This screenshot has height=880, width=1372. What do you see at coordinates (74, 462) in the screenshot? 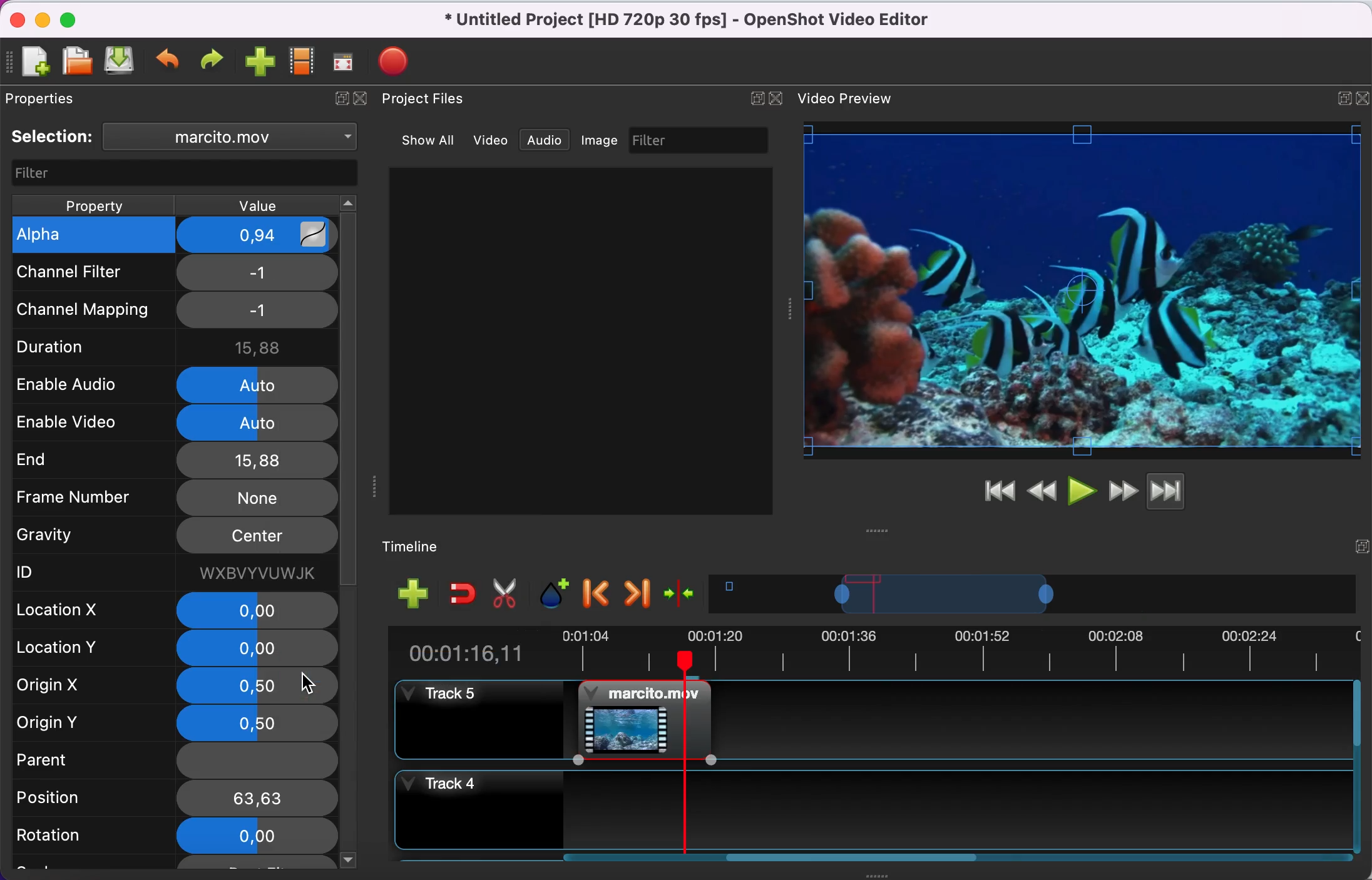
I see `End` at bounding box center [74, 462].